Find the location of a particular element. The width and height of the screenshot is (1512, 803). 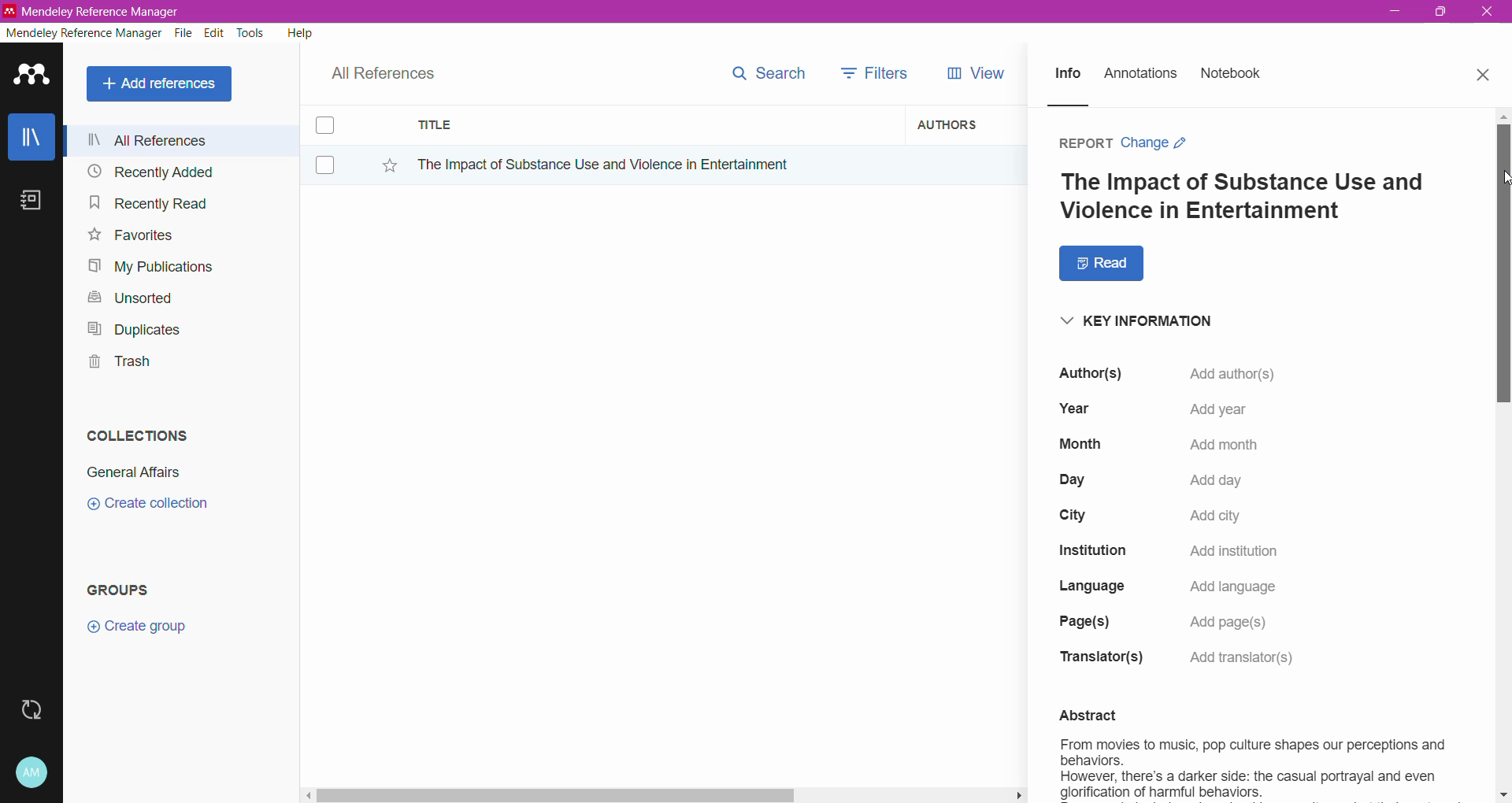

Help is located at coordinates (298, 32).